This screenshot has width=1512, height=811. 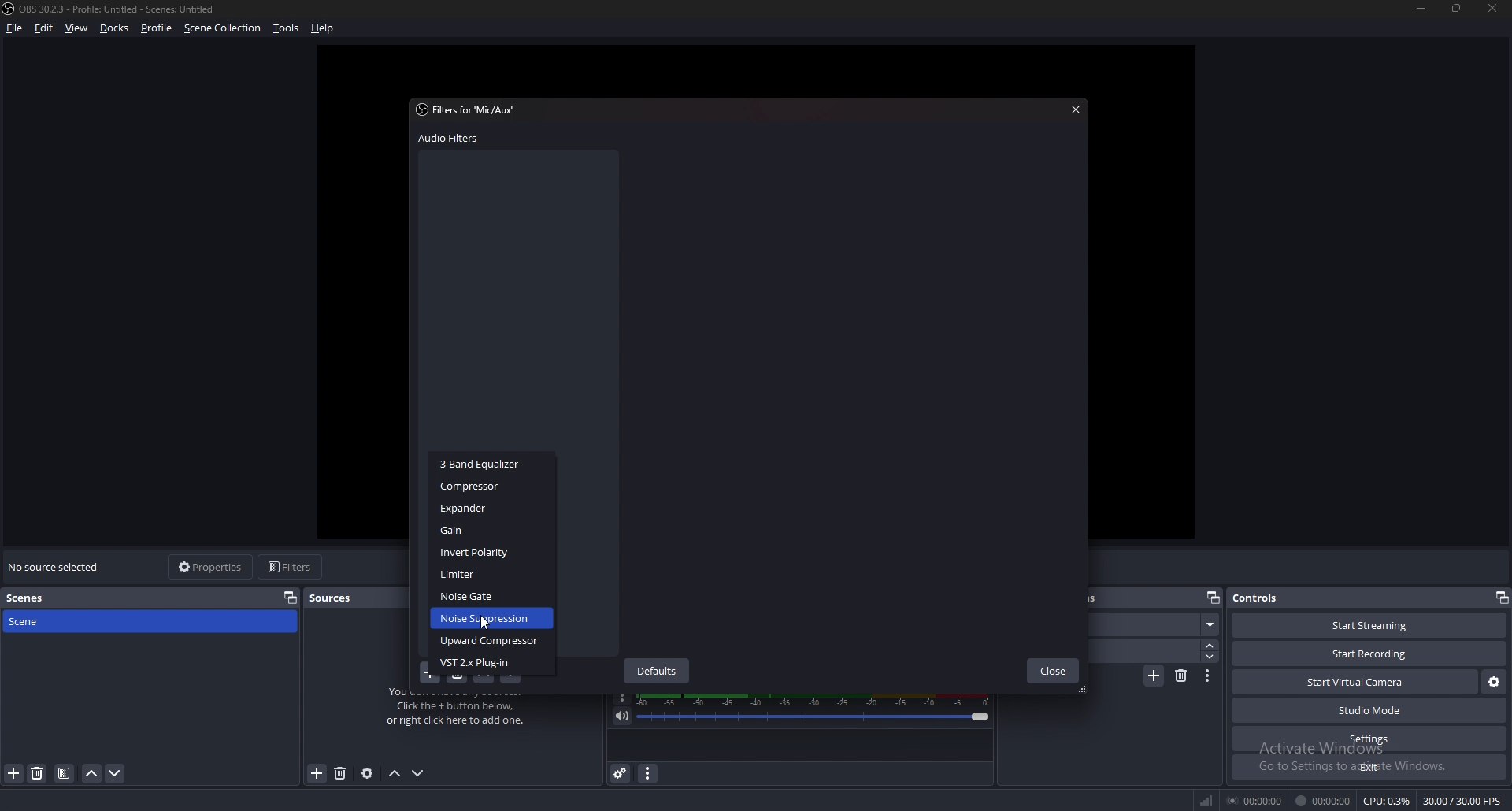 What do you see at coordinates (1370, 710) in the screenshot?
I see `studio mode` at bounding box center [1370, 710].